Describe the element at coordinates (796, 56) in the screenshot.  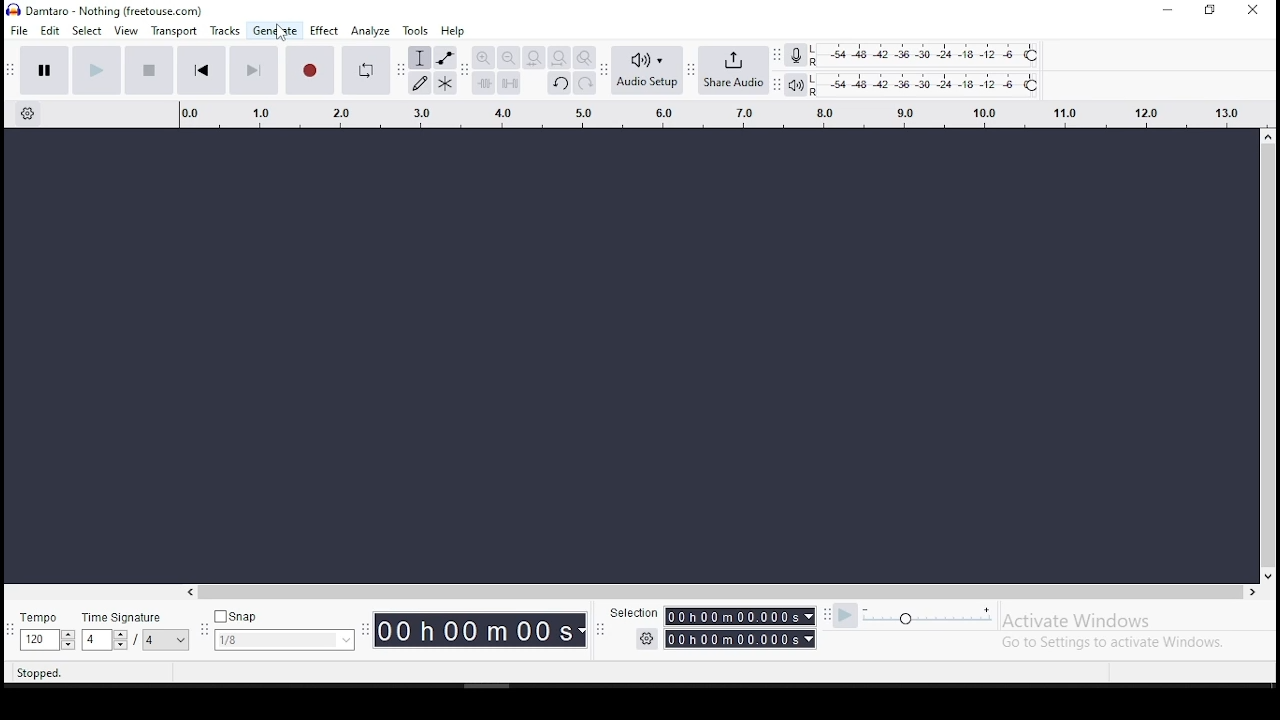
I see `record meter` at that location.